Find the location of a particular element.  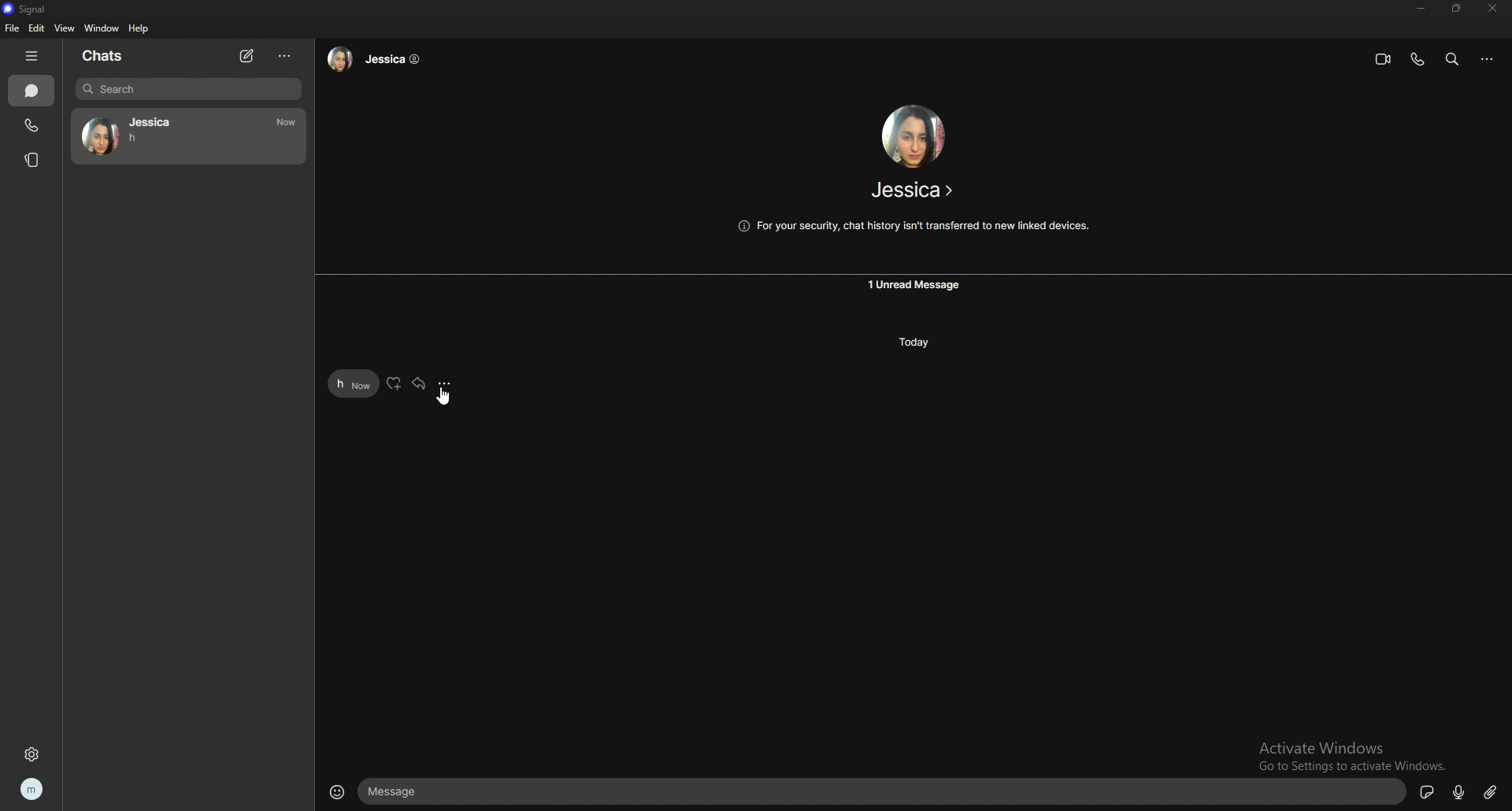

calls is located at coordinates (29, 125).